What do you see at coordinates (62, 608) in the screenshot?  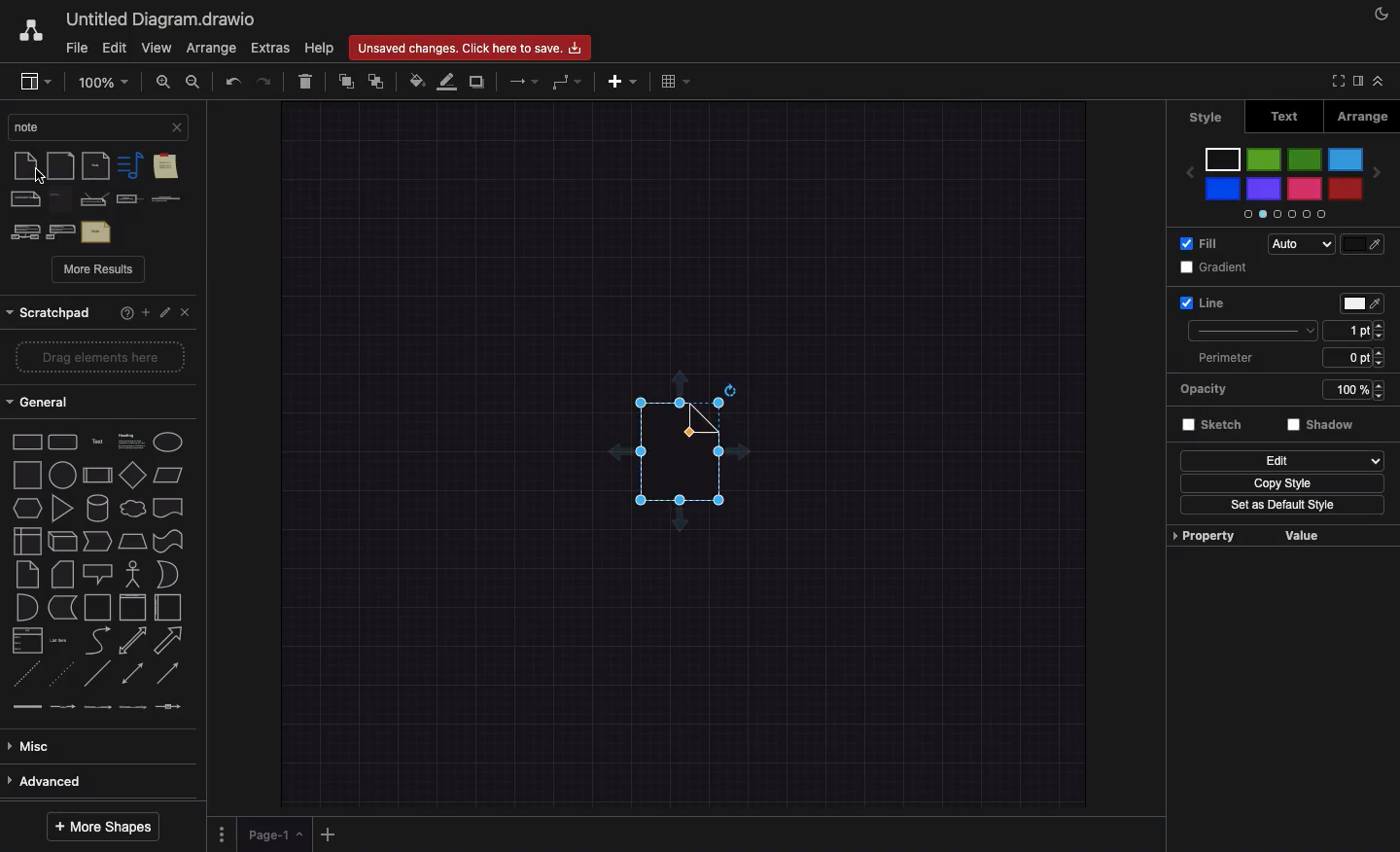 I see `data storage` at bounding box center [62, 608].